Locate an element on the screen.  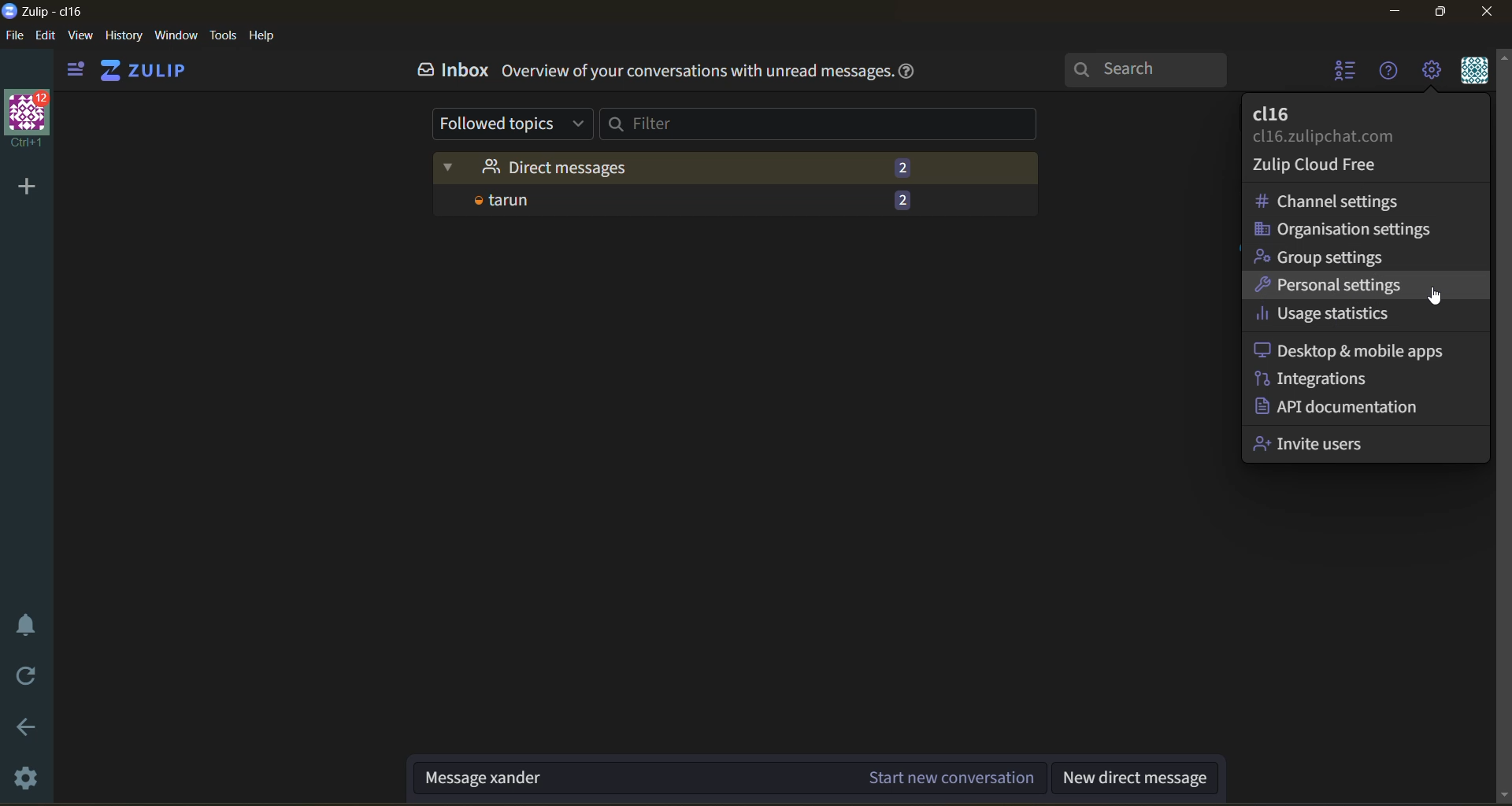
new direct message is located at coordinates (1136, 779).